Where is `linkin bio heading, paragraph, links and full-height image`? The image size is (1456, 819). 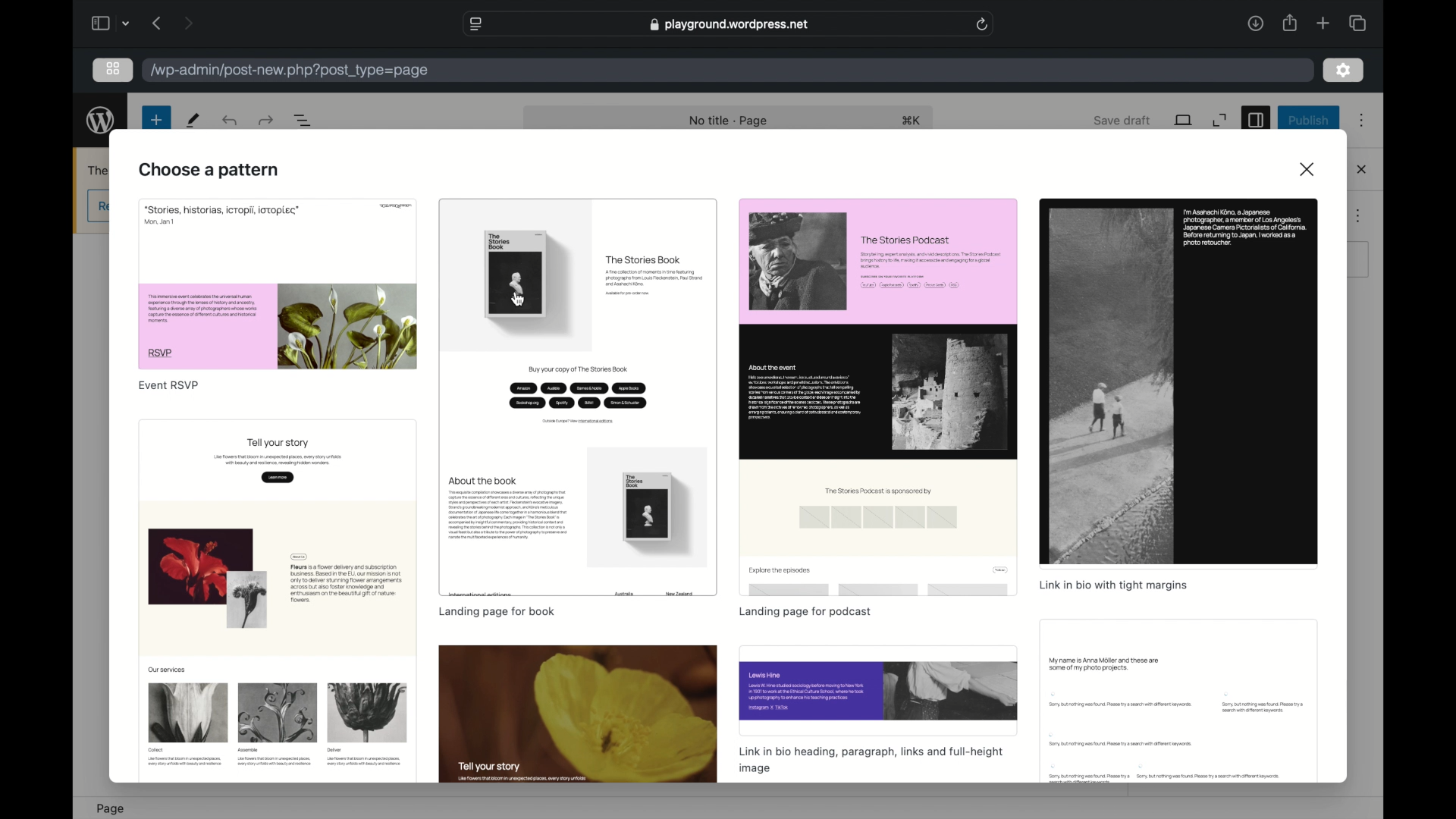
linkin bio heading, paragraph, links and full-height image is located at coordinates (874, 761).